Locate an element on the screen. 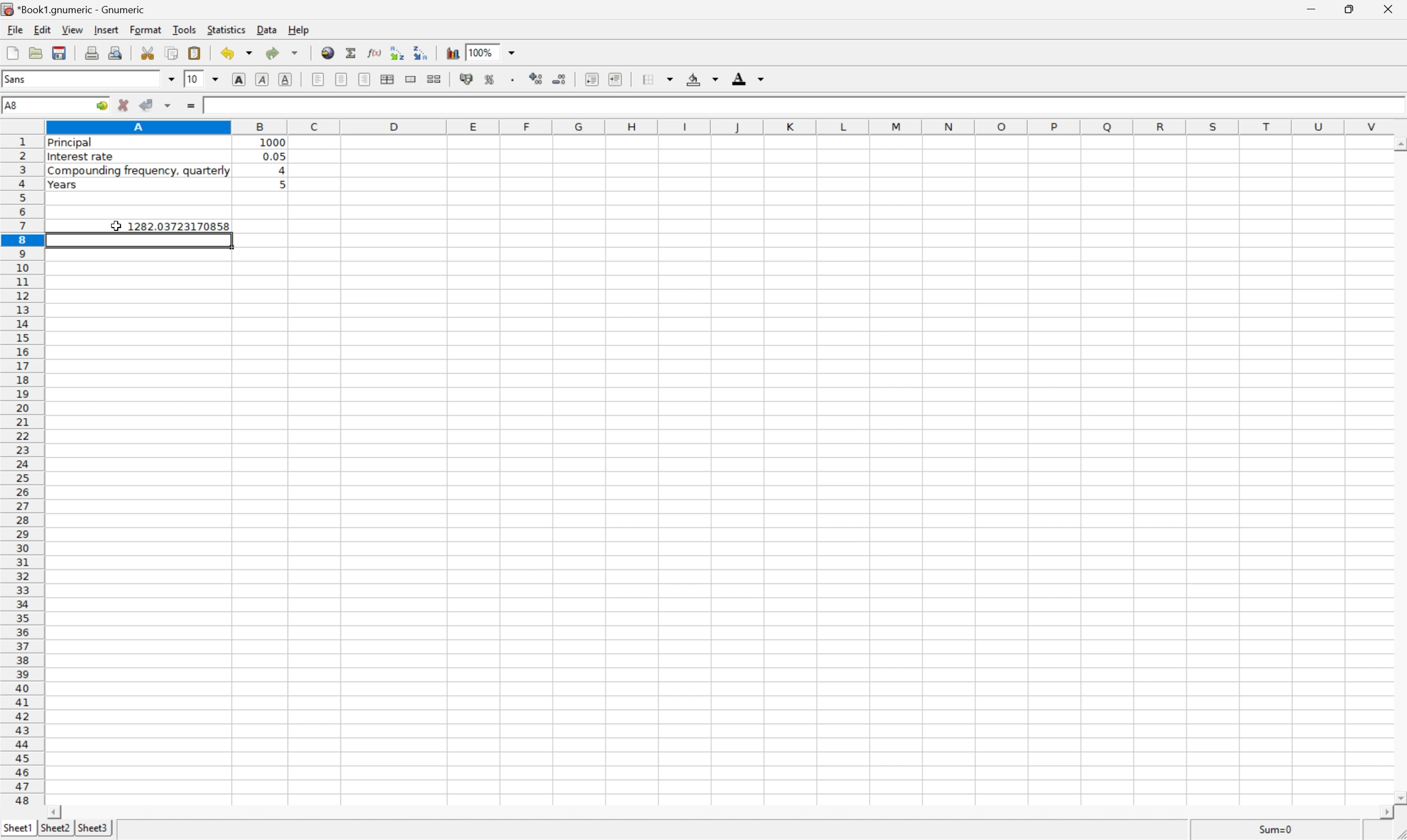  format is located at coordinates (144, 29).